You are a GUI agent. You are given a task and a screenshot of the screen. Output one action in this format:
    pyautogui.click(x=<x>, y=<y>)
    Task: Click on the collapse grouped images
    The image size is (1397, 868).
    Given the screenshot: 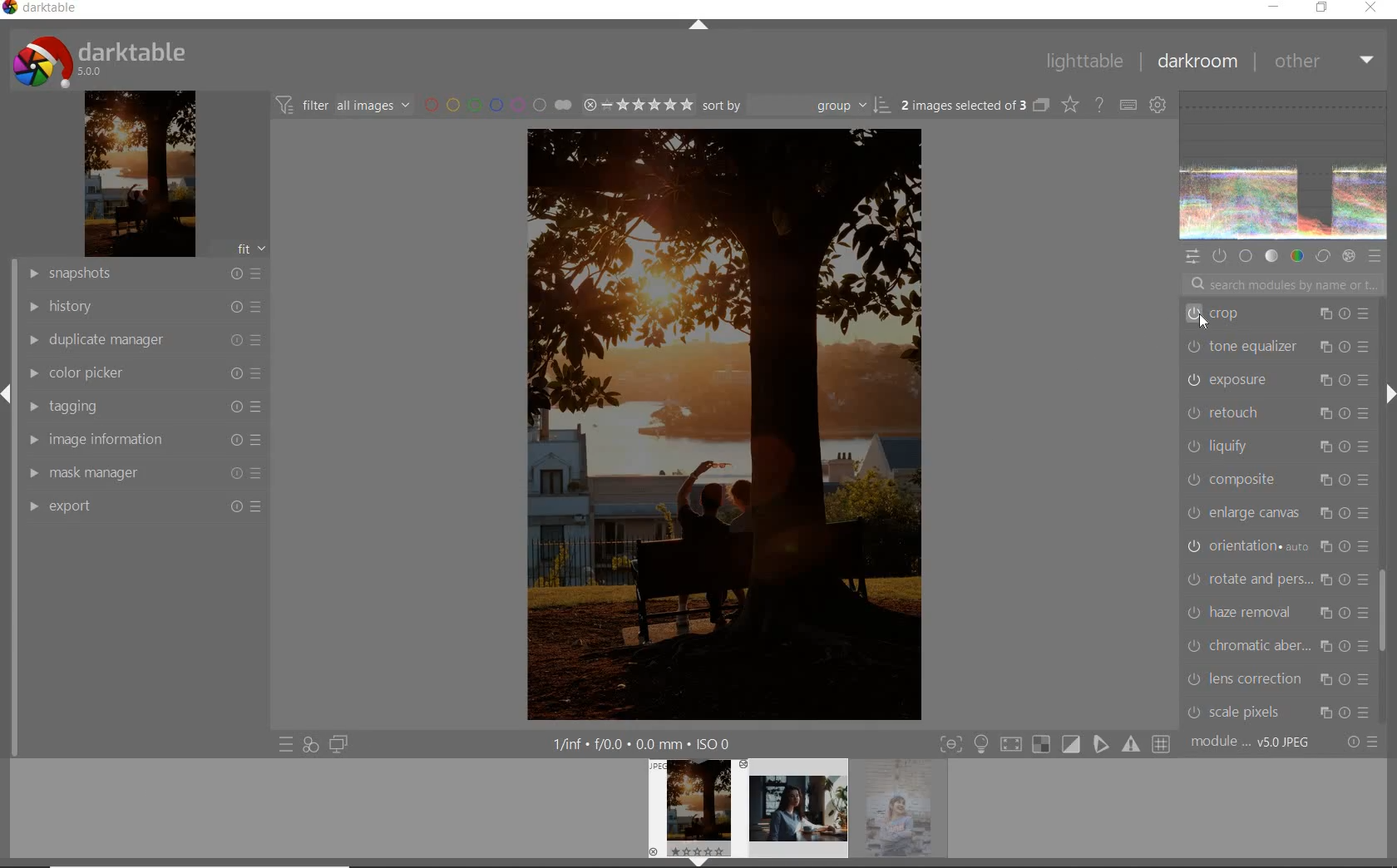 What is the action you would take?
    pyautogui.click(x=1041, y=106)
    